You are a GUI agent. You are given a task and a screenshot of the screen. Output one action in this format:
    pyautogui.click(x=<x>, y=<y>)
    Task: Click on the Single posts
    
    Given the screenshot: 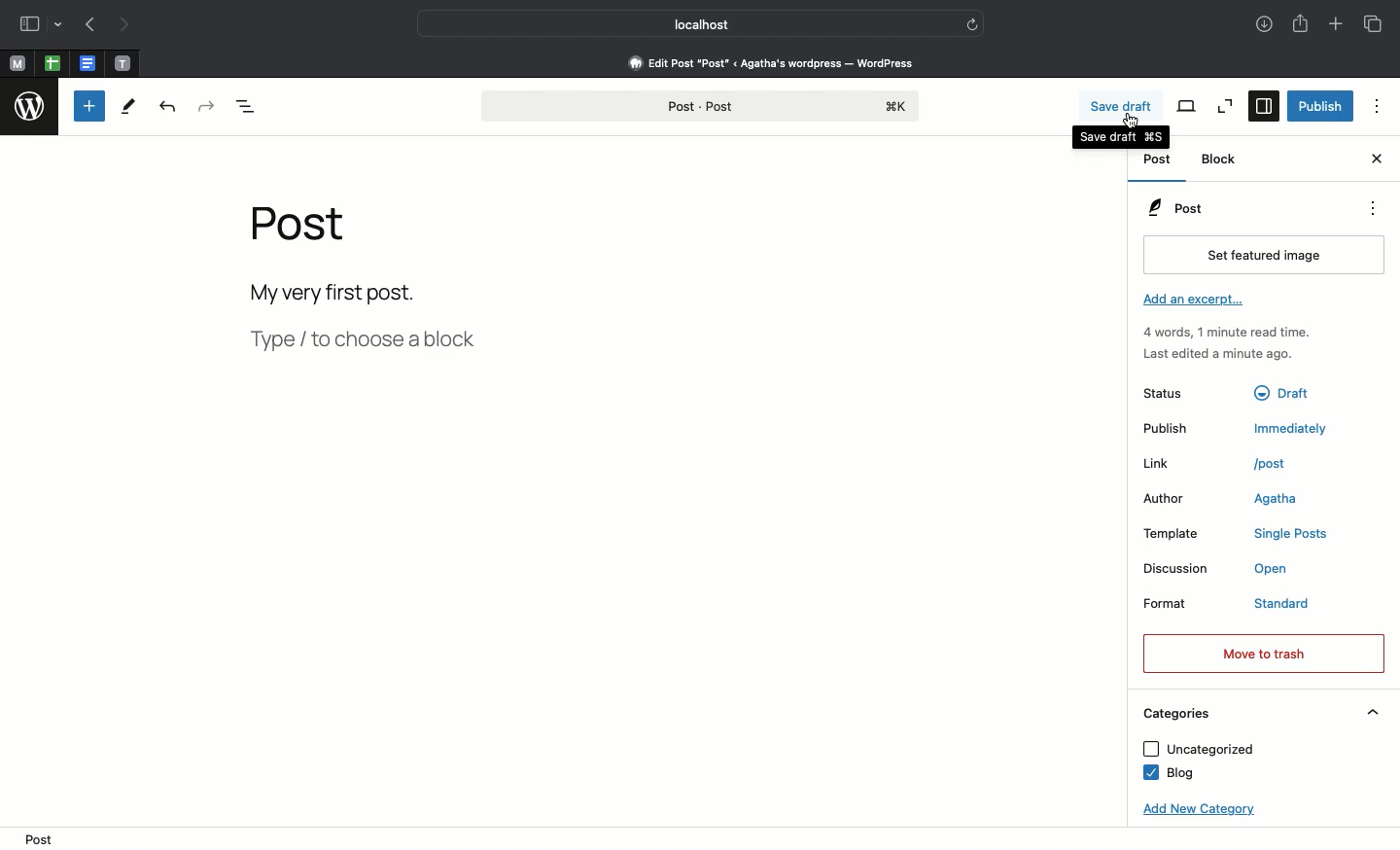 What is the action you would take?
    pyautogui.click(x=1295, y=536)
    